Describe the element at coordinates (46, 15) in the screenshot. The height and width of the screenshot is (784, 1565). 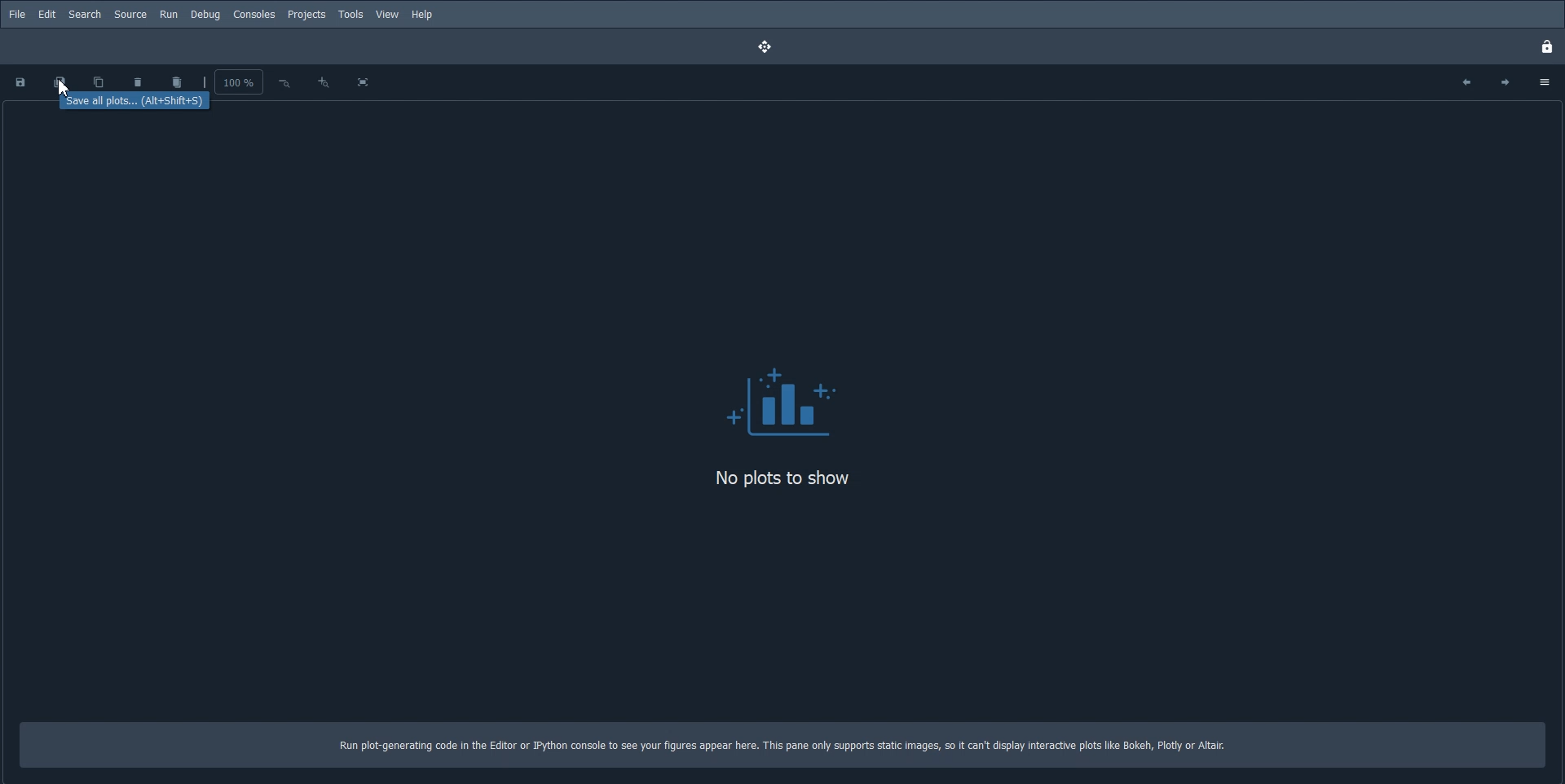
I see `Edit` at that location.